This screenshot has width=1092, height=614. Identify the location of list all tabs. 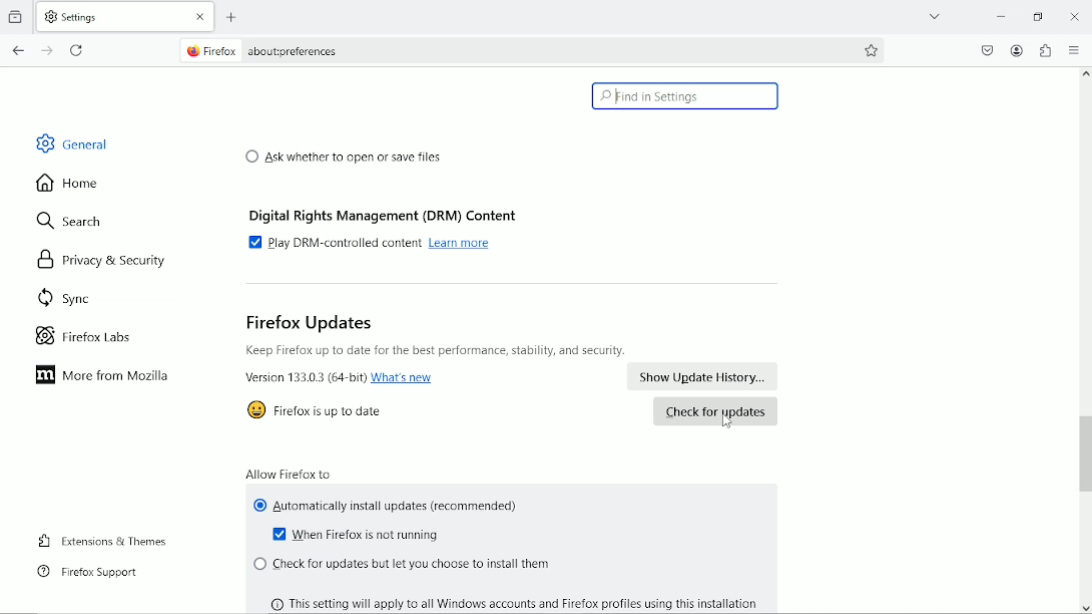
(932, 16).